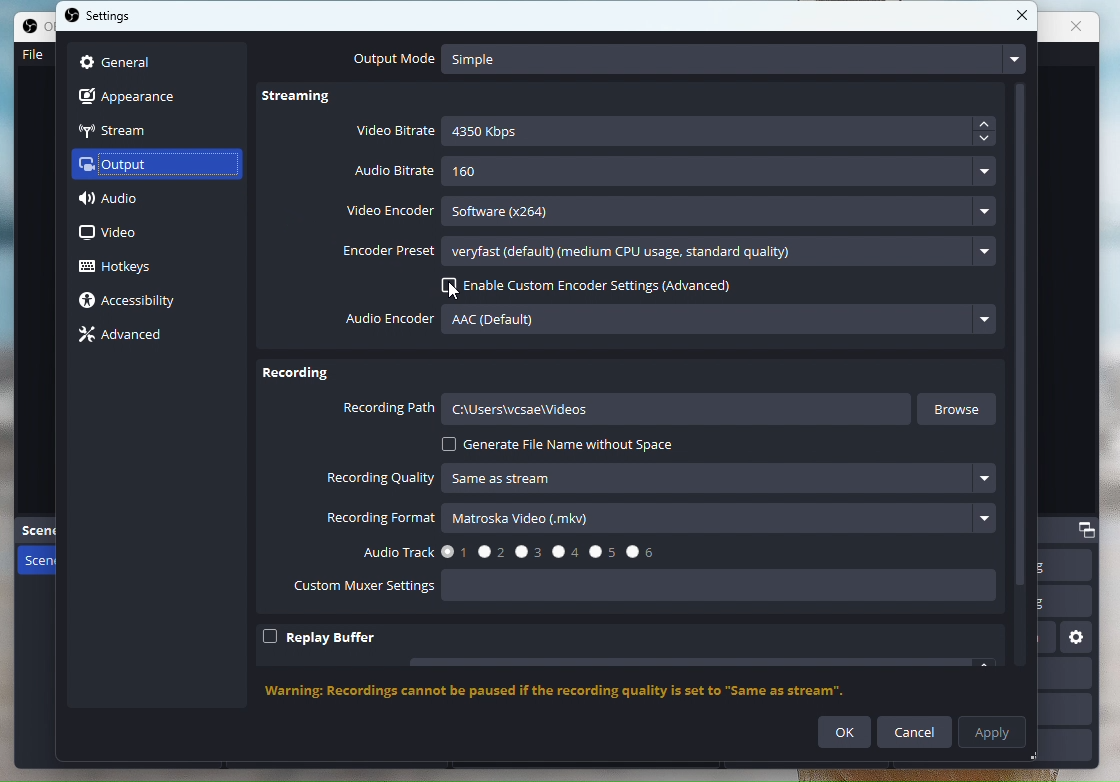 Image resolution: width=1120 pixels, height=782 pixels. What do you see at coordinates (308, 100) in the screenshot?
I see `Streaming` at bounding box center [308, 100].